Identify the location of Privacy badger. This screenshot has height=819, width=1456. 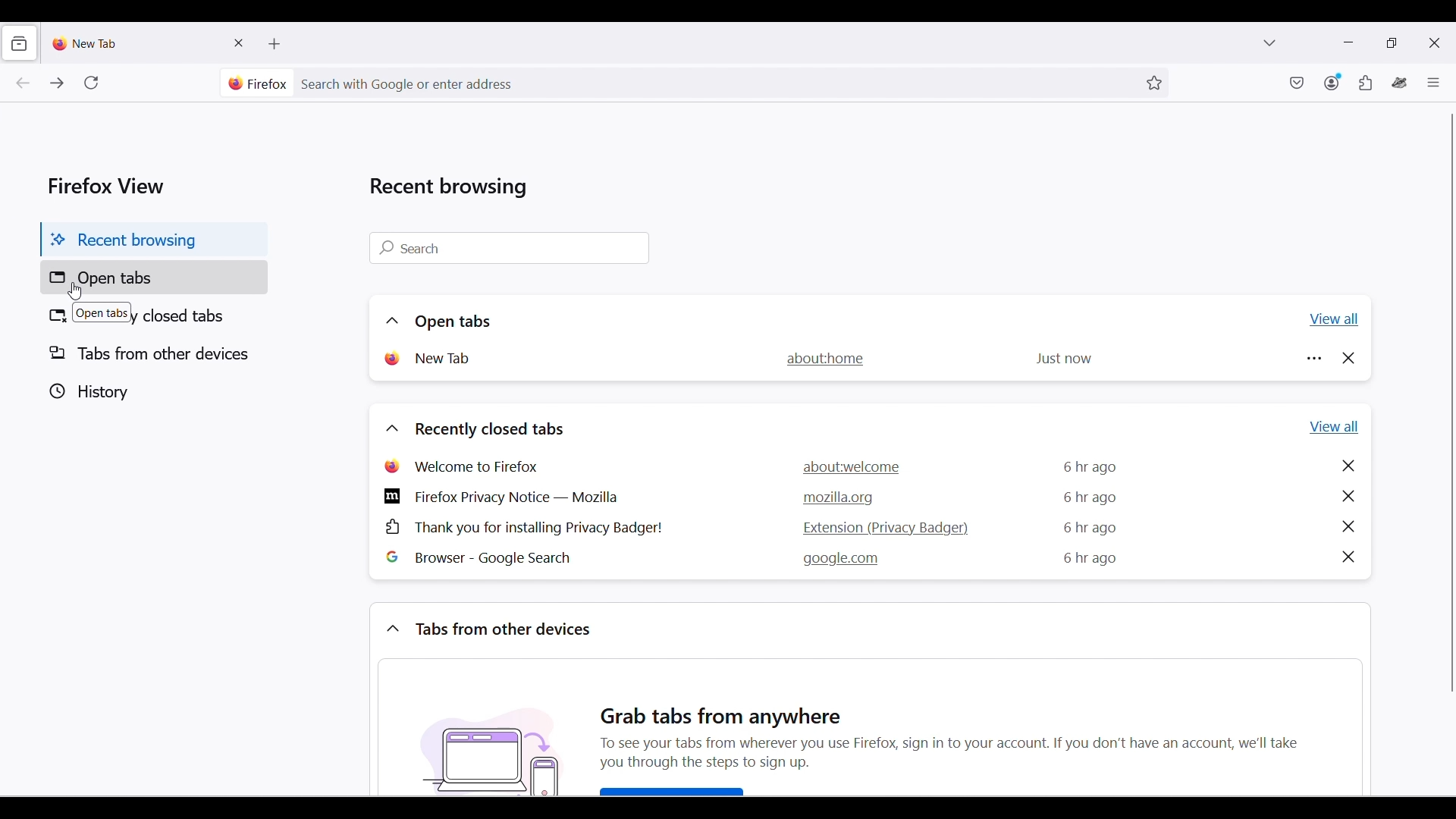
(1400, 83).